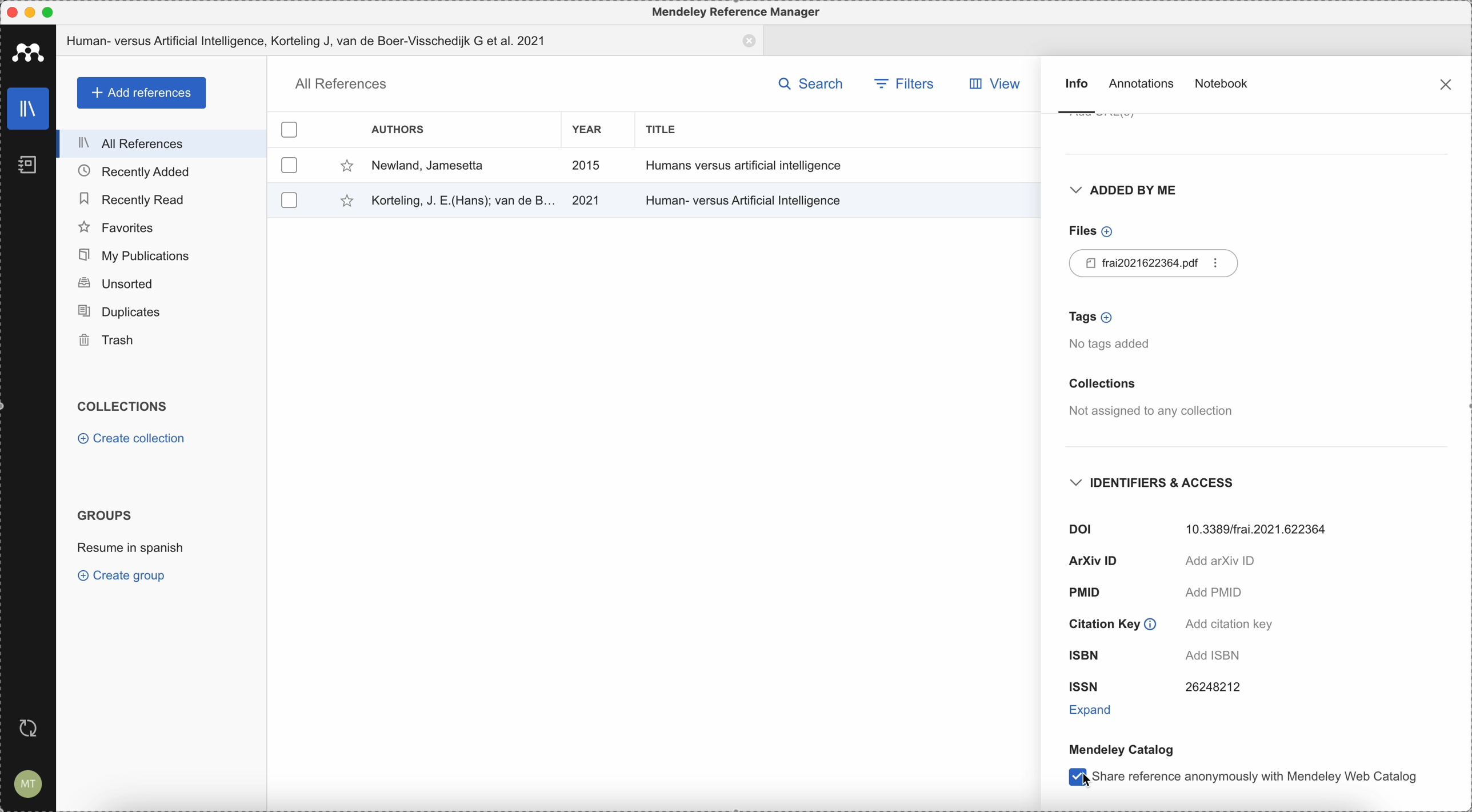 This screenshot has height=812, width=1472. I want to click on favorite, so click(339, 202).